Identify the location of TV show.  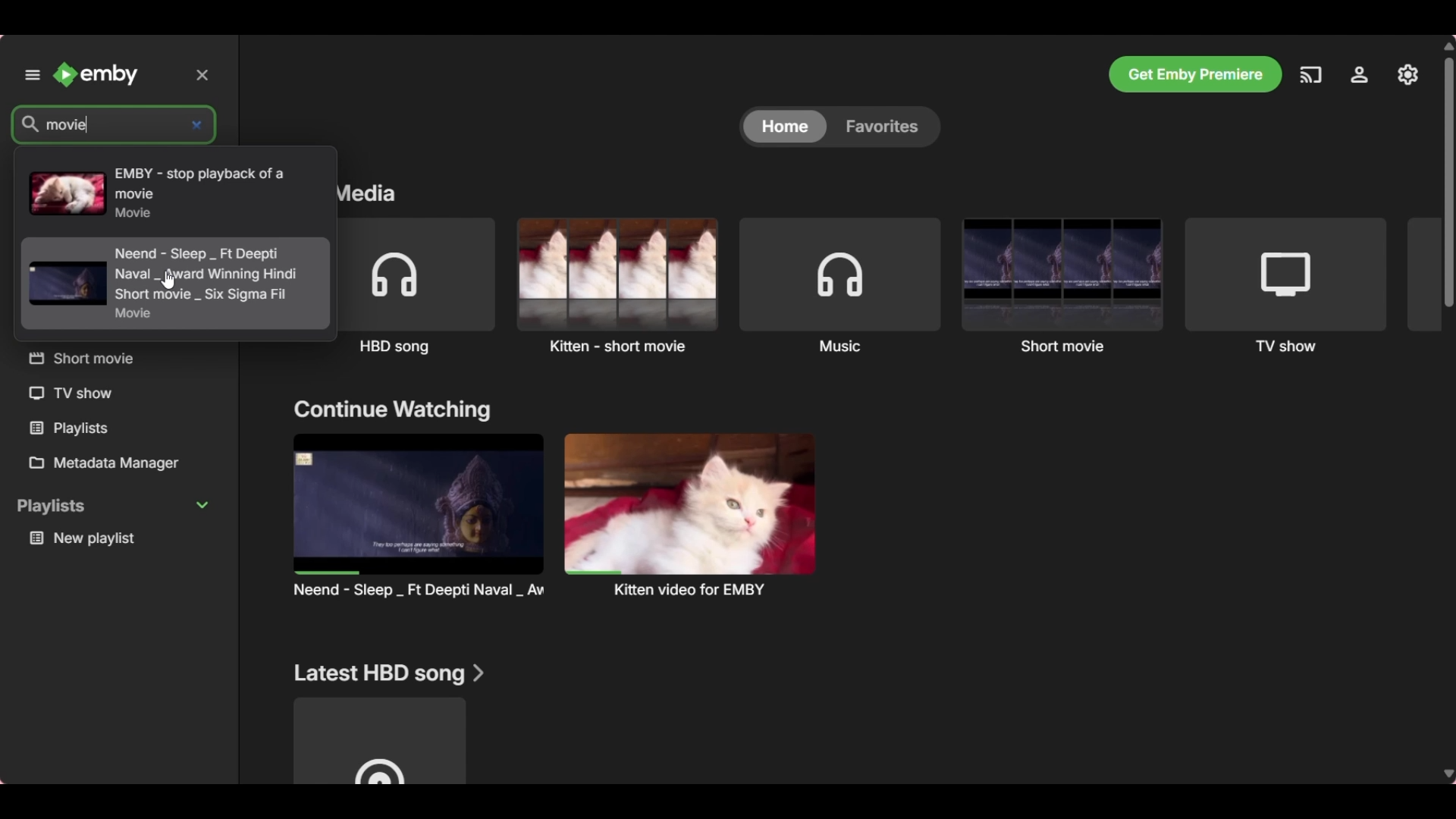
(1287, 284).